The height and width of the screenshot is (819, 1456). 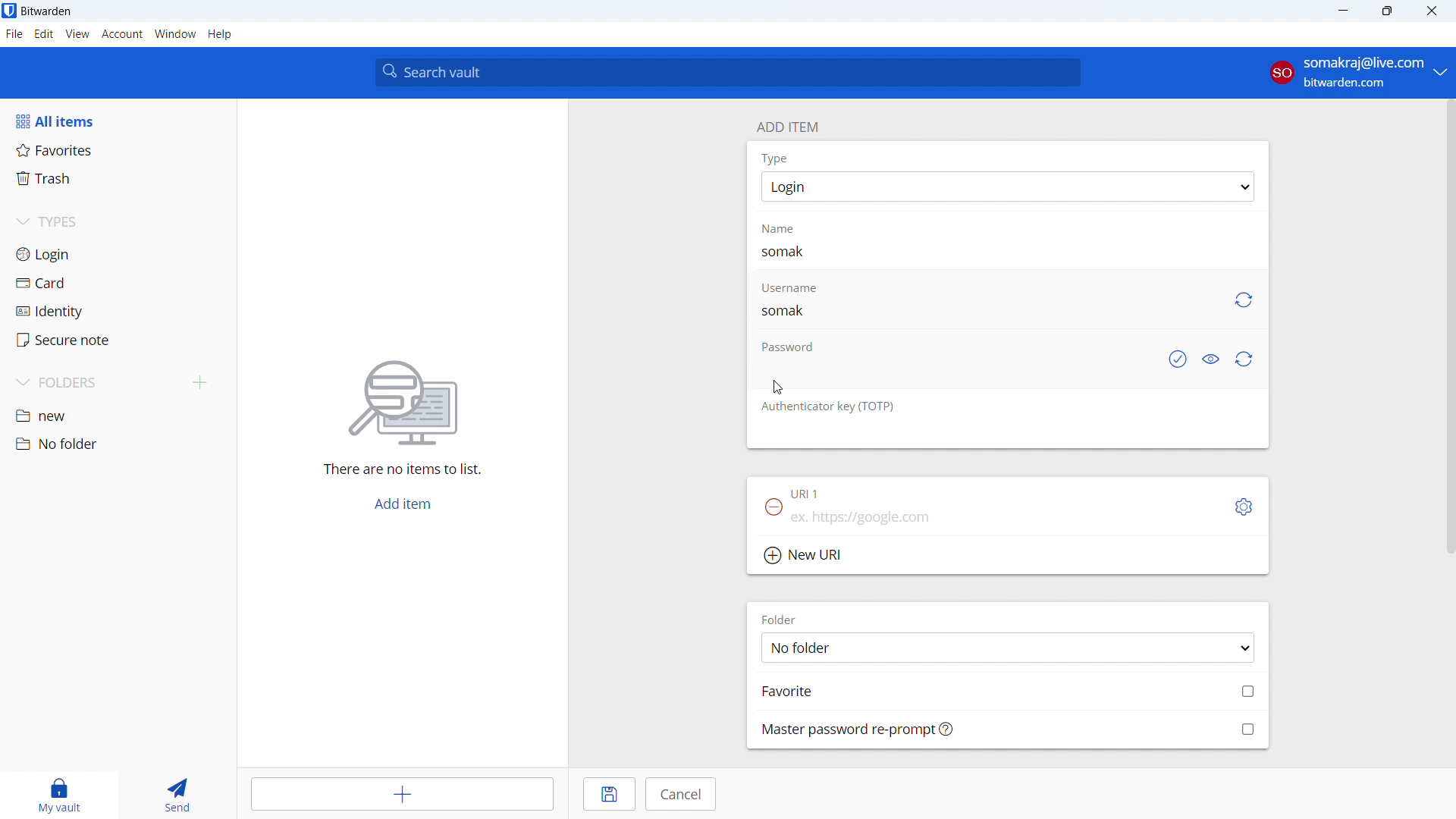 What do you see at coordinates (116, 444) in the screenshot?
I see `no folder` at bounding box center [116, 444].